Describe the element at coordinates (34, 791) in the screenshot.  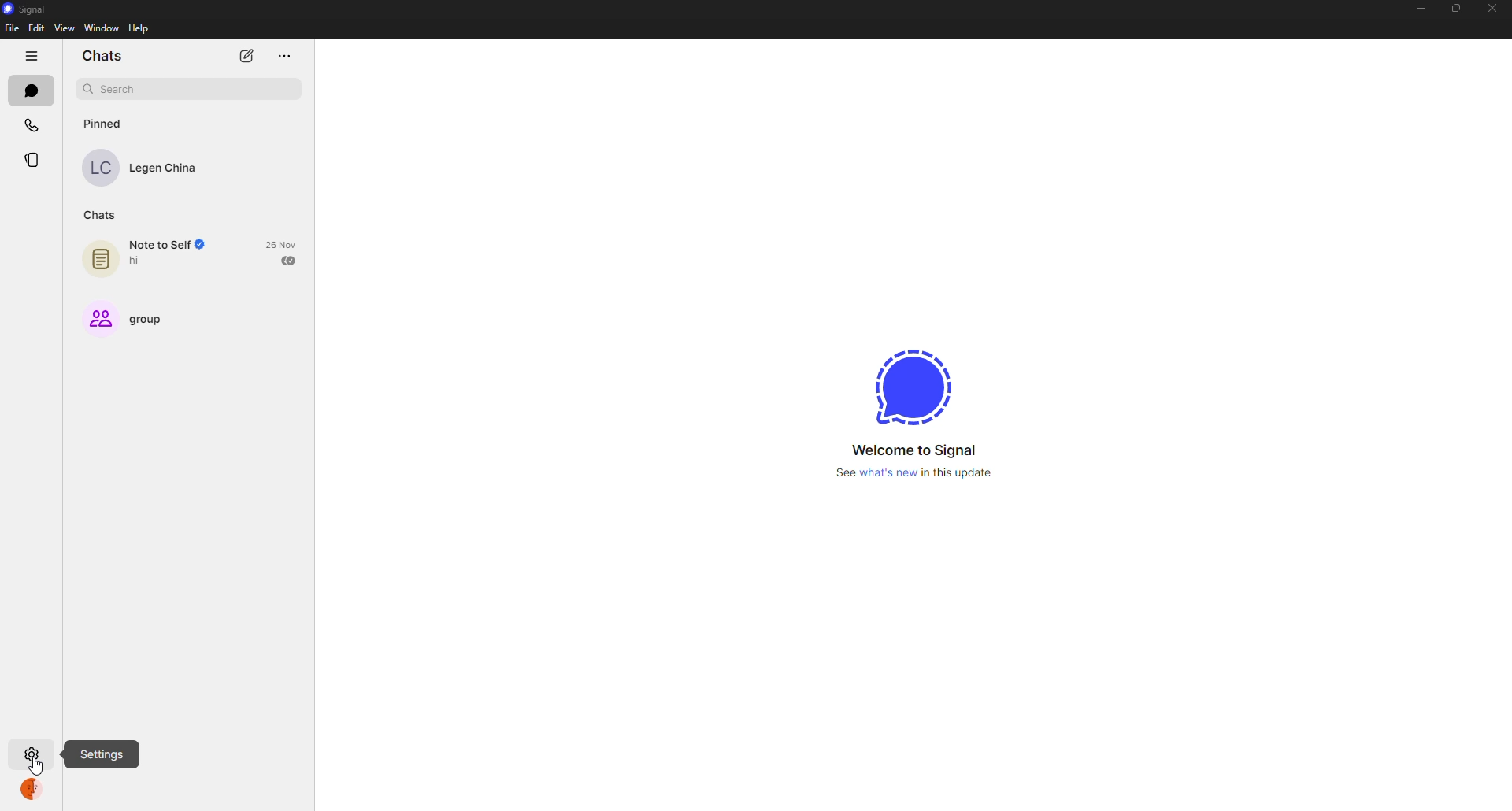
I see `profile` at that location.